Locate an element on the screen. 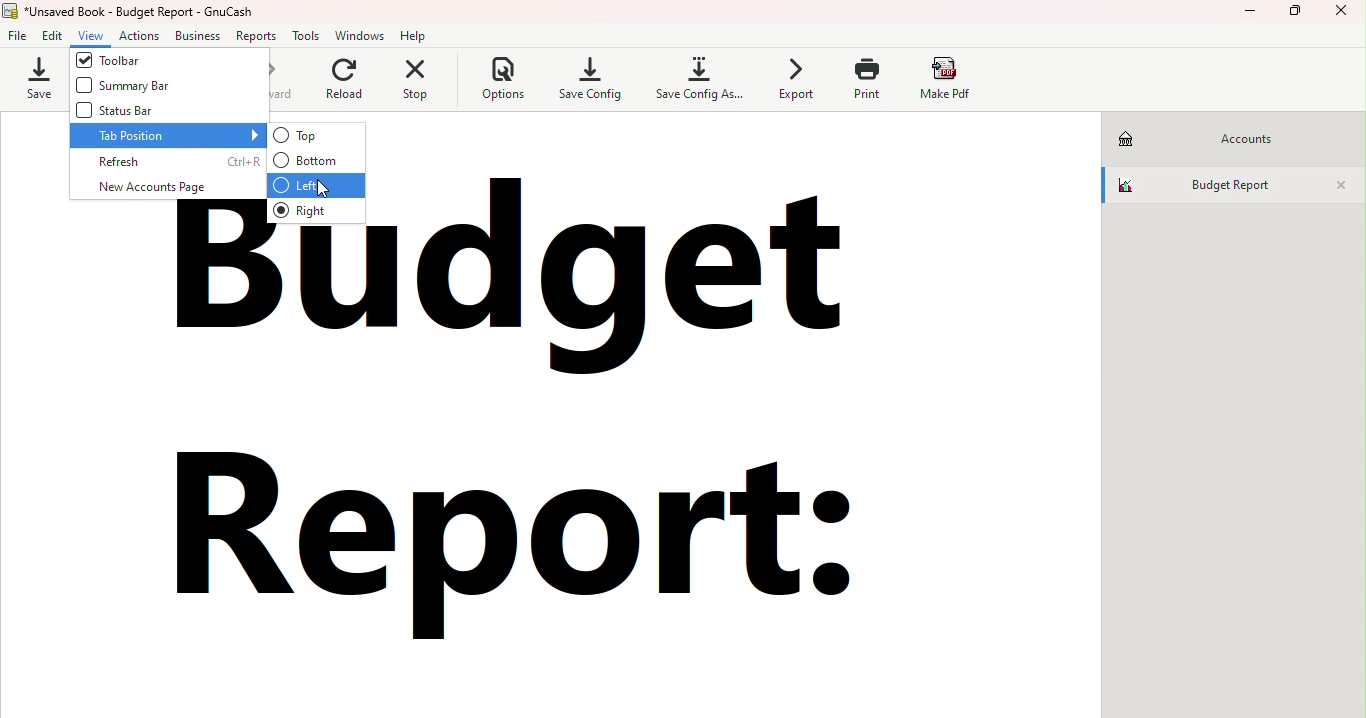 The width and height of the screenshot is (1366, 718). Windows is located at coordinates (360, 36).